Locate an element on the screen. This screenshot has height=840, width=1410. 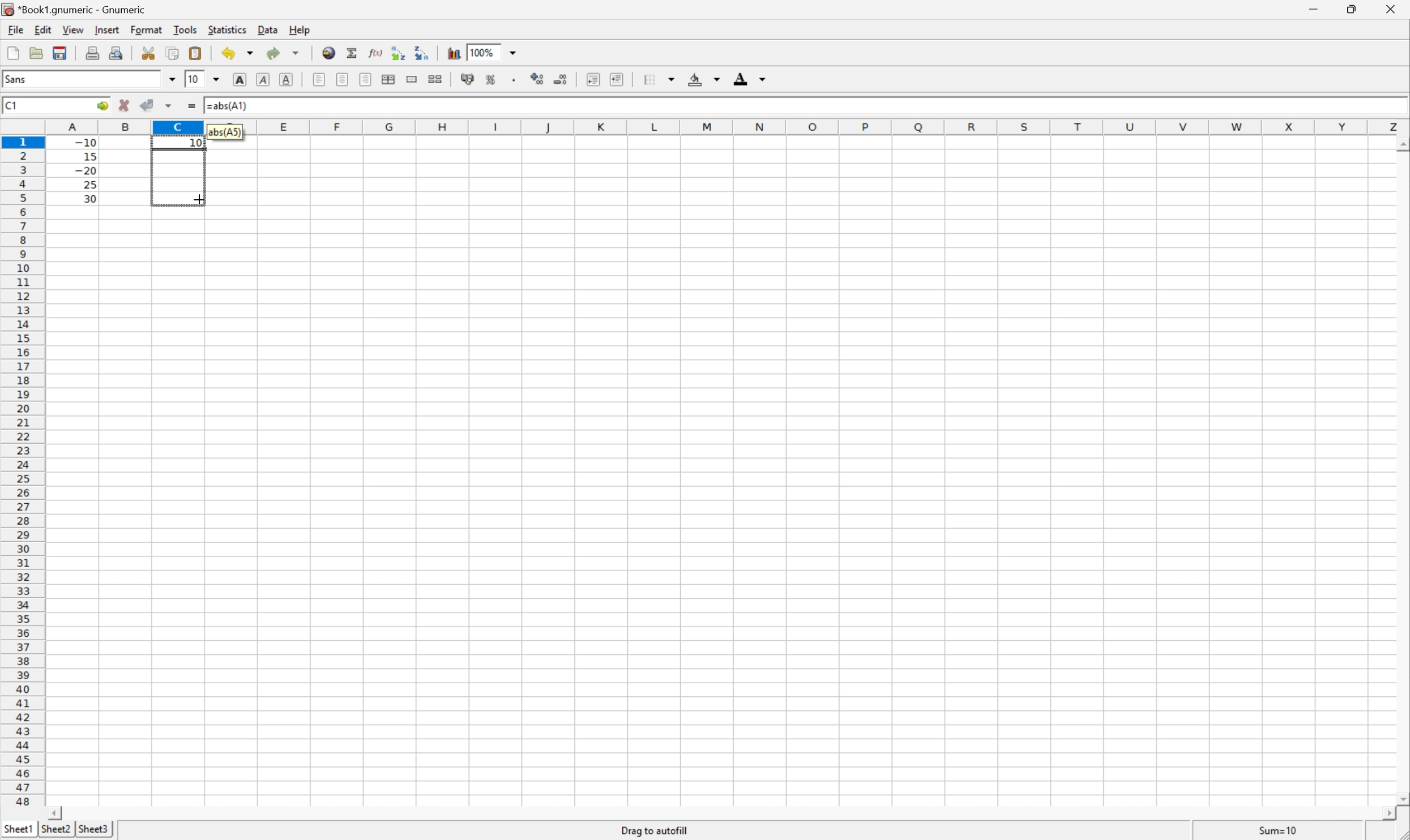
Underline is located at coordinates (288, 78).